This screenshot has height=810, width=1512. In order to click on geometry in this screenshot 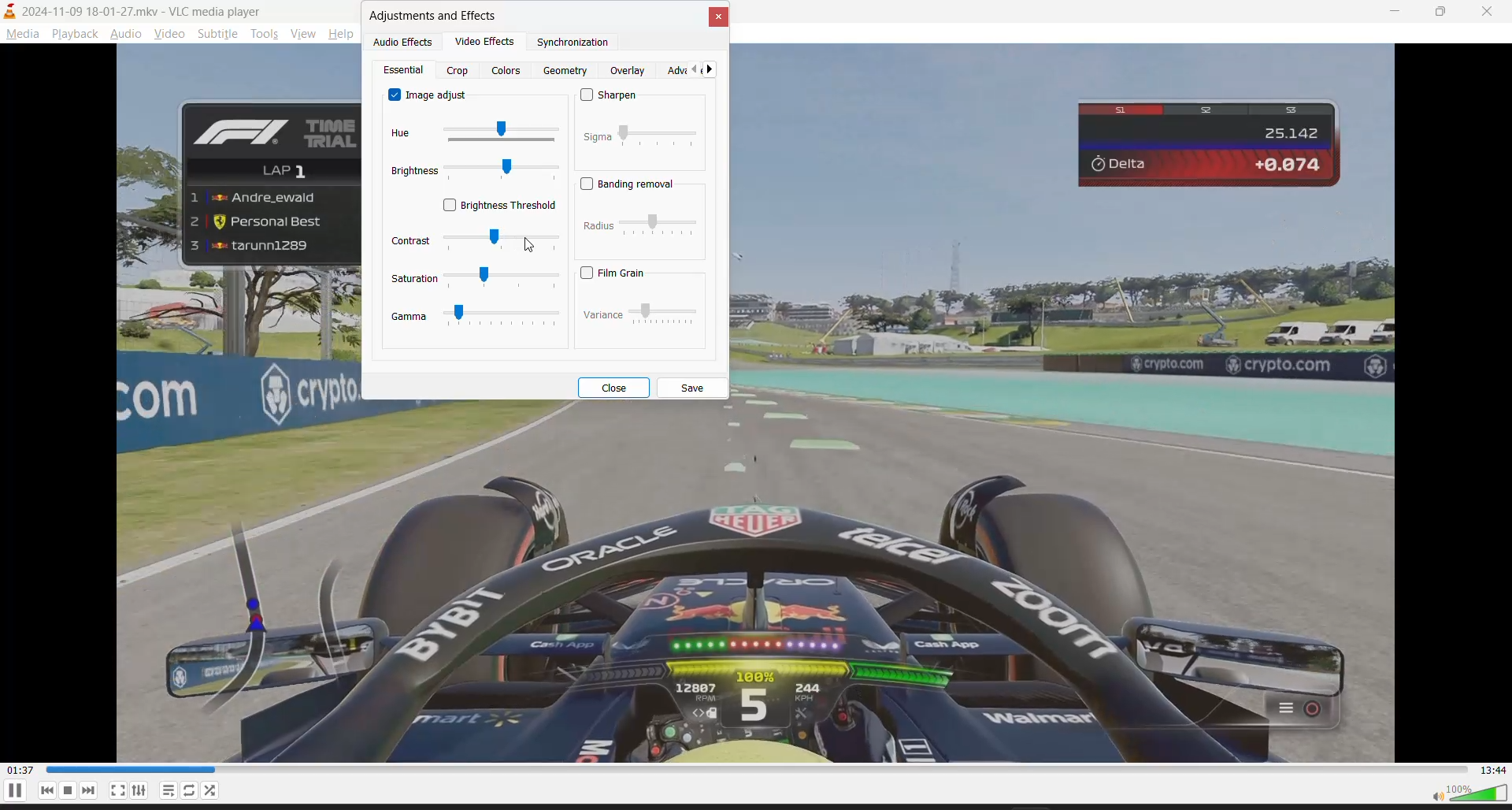, I will do `click(567, 70)`.